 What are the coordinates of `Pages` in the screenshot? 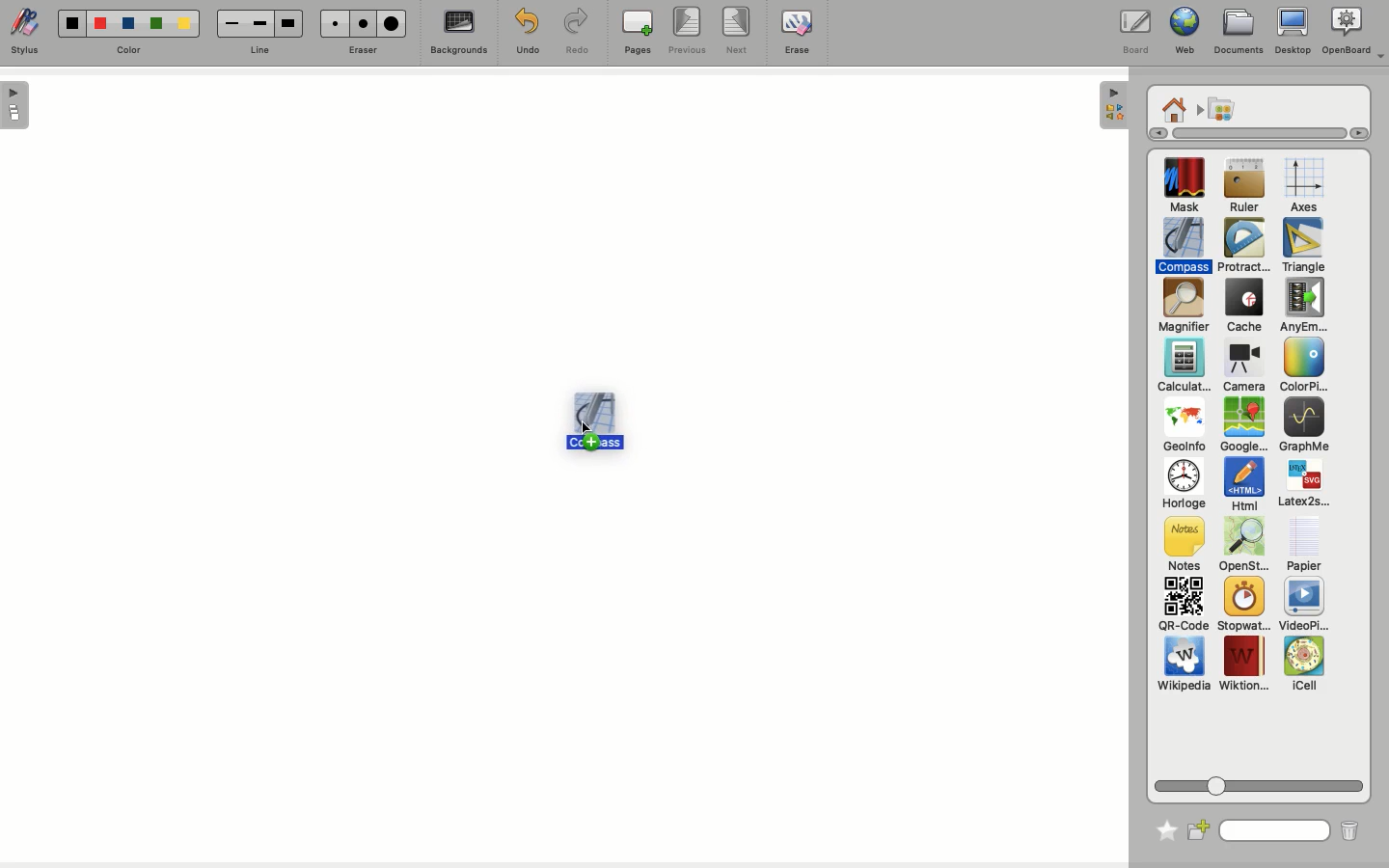 It's located at (638, 34).